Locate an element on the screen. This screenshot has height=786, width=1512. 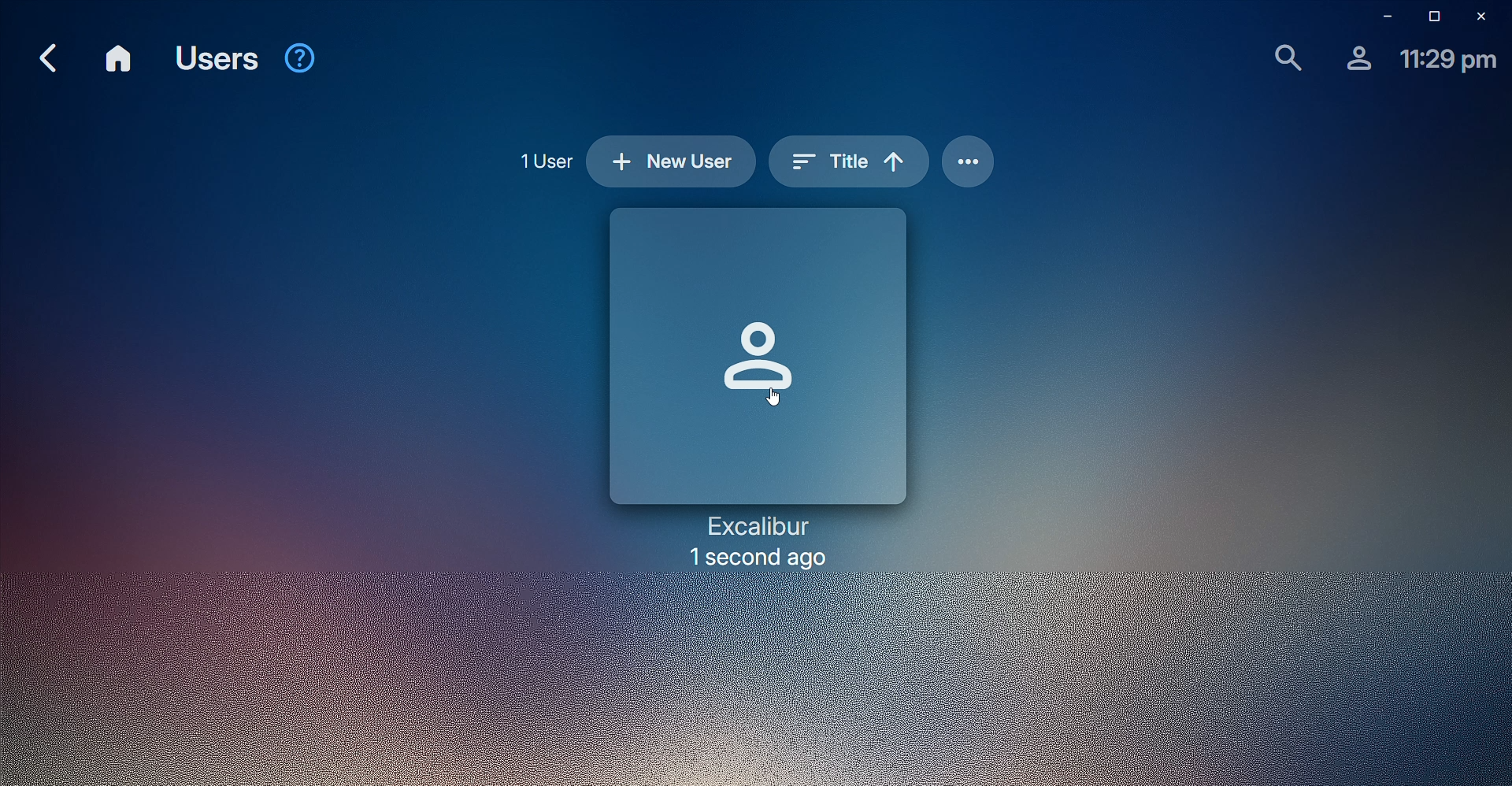
Time is located at coordinates (1448, 61).